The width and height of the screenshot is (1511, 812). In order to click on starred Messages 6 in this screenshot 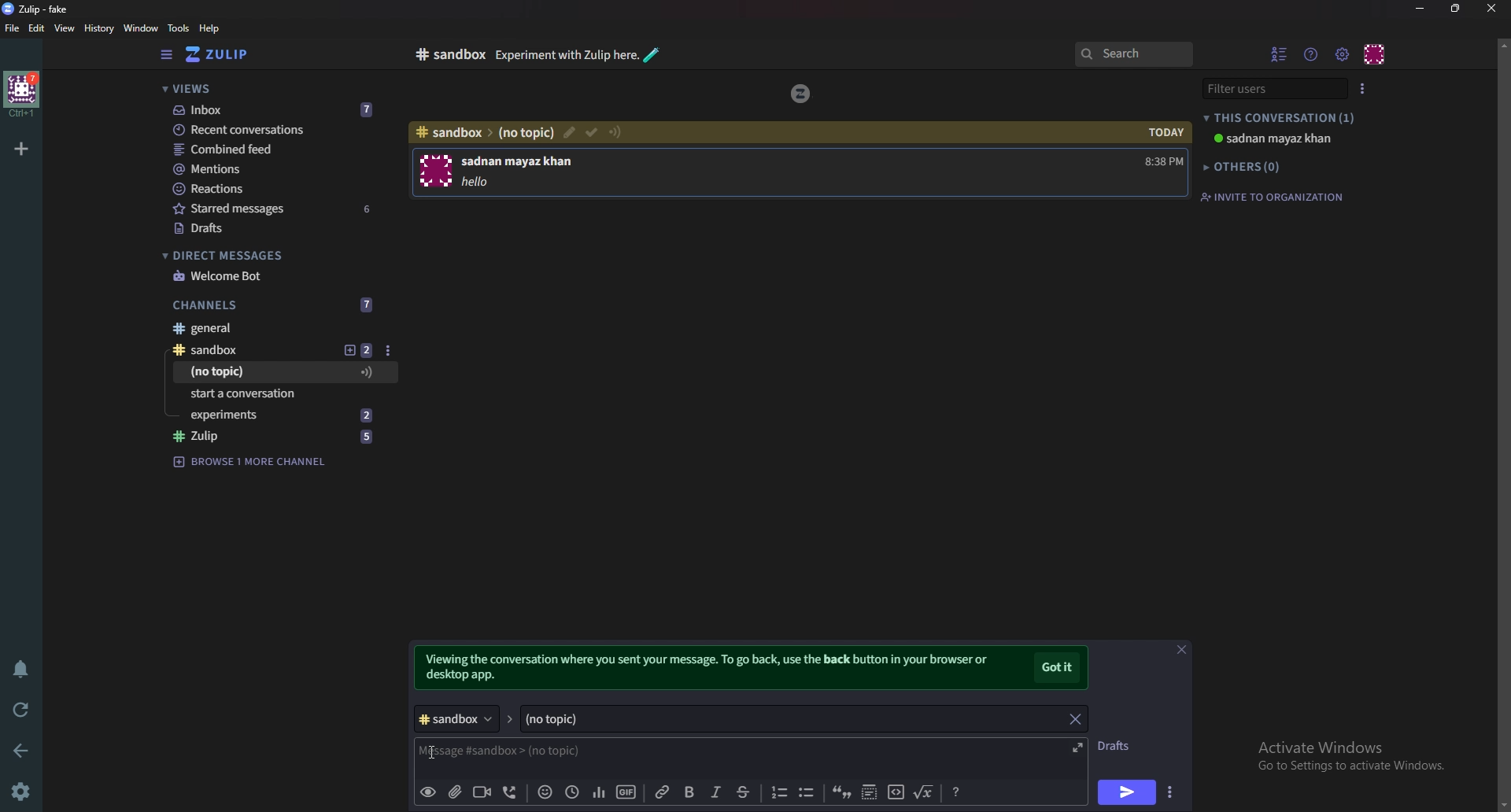, I will do `click(274, 208)`.